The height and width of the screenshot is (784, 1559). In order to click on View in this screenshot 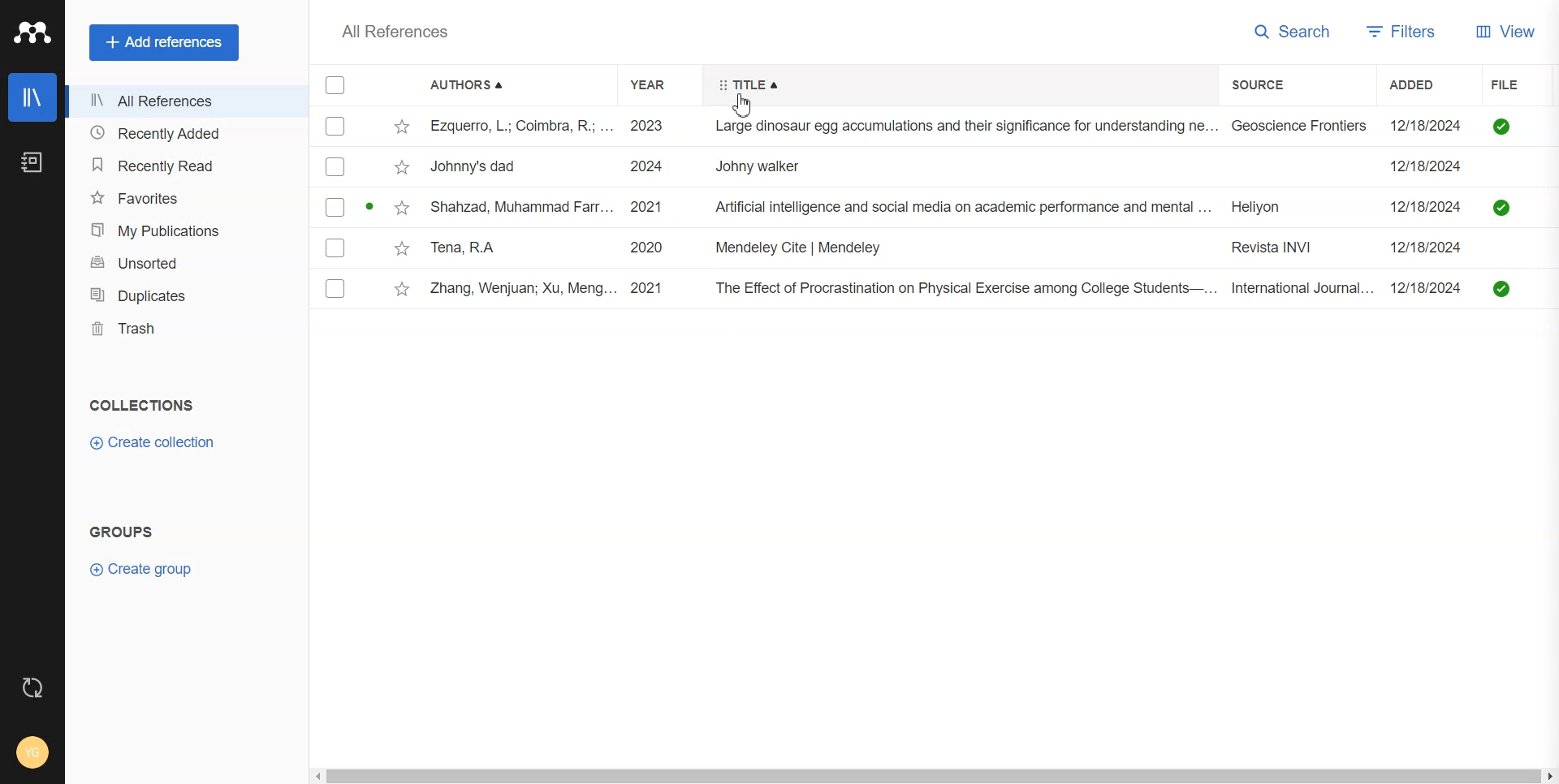, I will do `click(1509, 31)`.